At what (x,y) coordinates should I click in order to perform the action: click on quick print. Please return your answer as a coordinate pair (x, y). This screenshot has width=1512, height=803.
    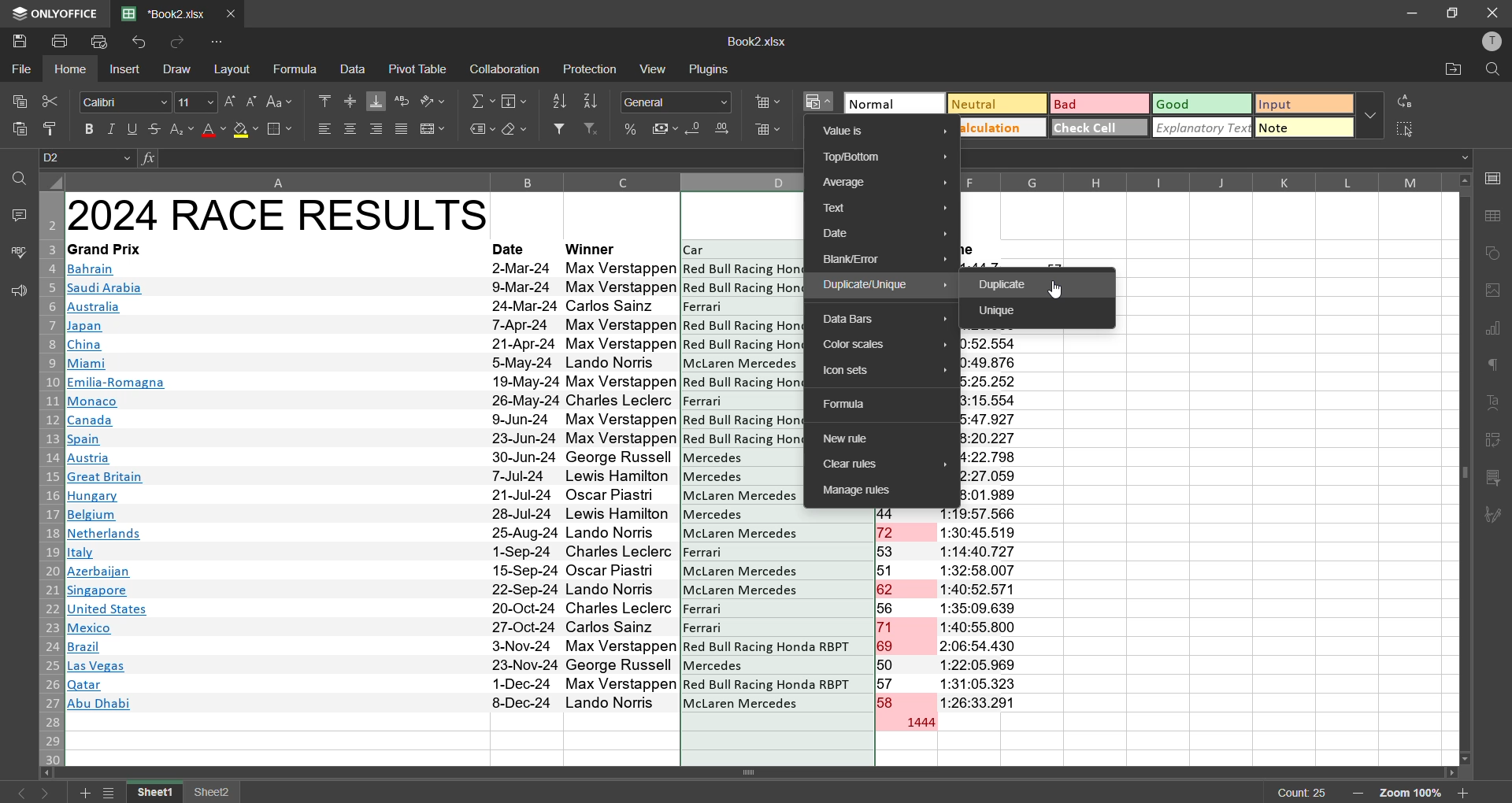
    Looking at the image, I should click on (100, 43).